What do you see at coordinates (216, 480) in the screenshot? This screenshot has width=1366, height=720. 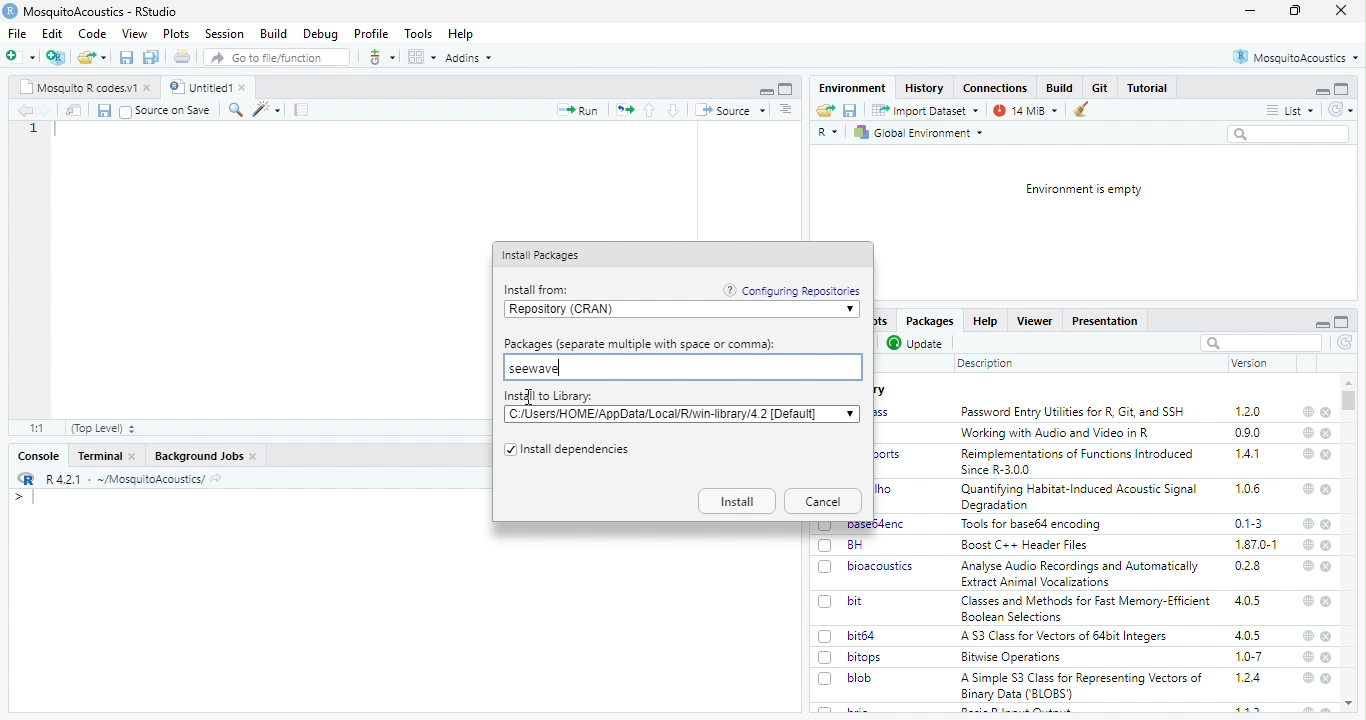 I see `share` at bounding box center [216, 480].